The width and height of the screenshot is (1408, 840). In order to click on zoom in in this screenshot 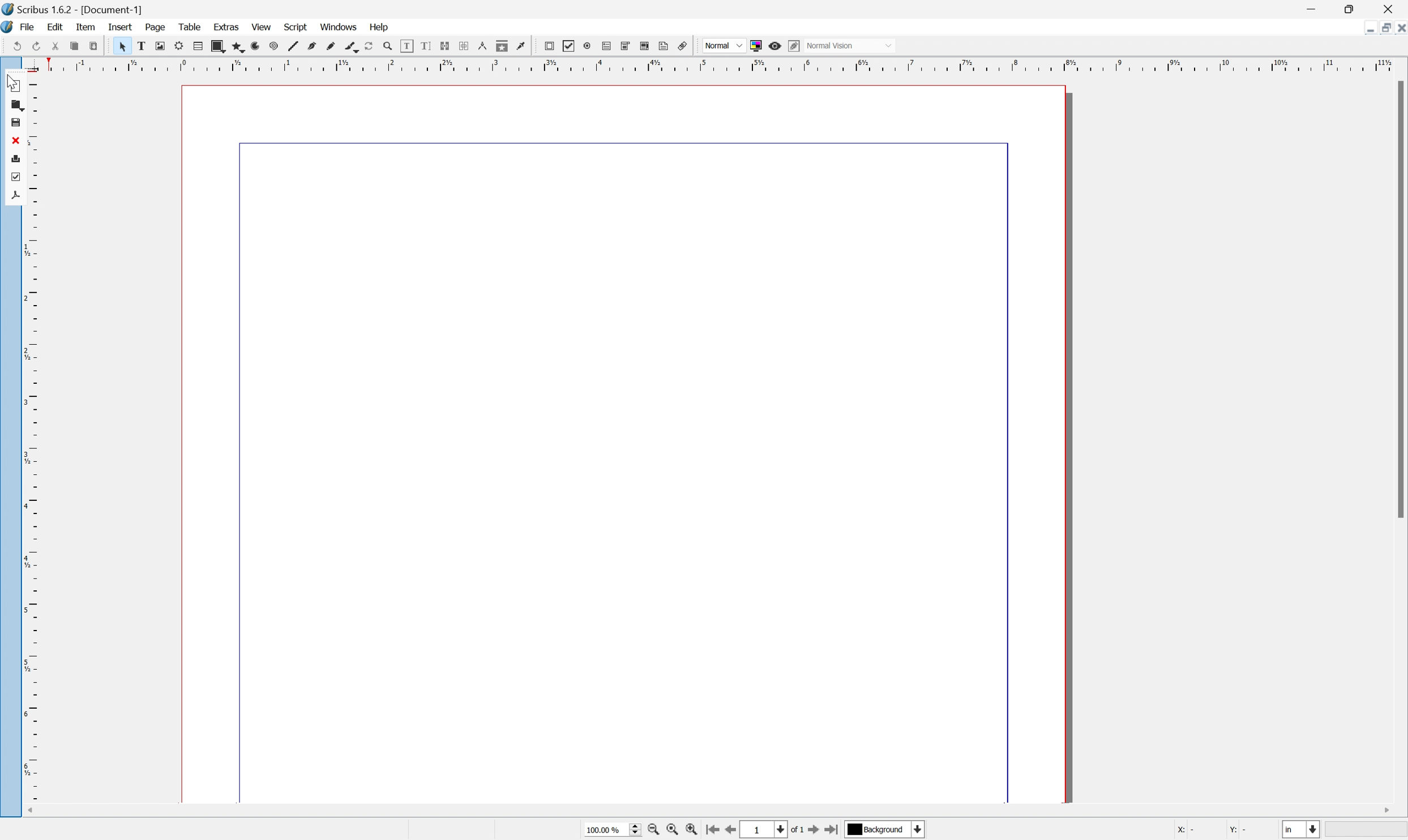, I will do `click(691, 830)`.